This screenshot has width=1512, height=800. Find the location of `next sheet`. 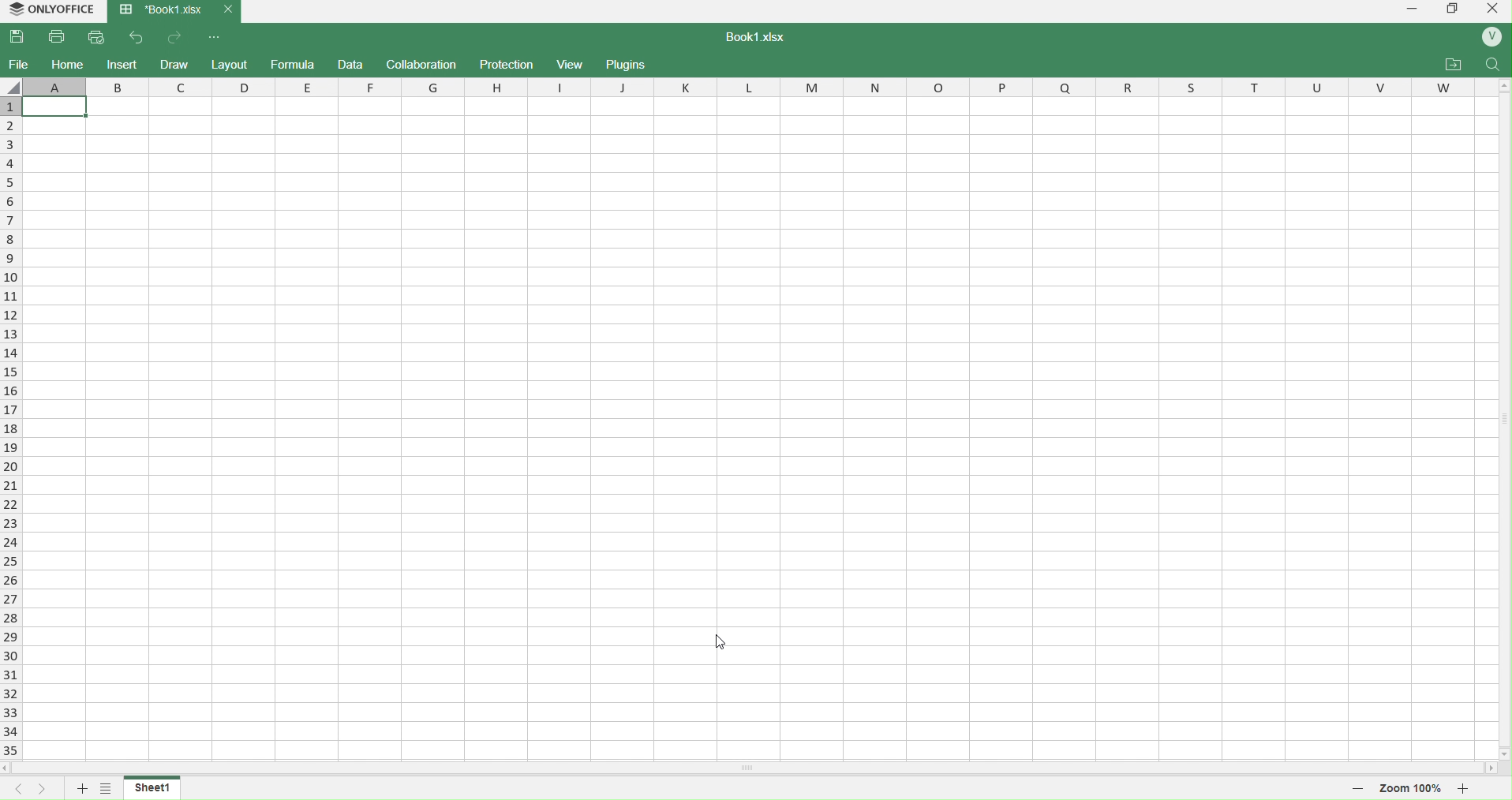

next sheet is located at coordinates (39, 789).